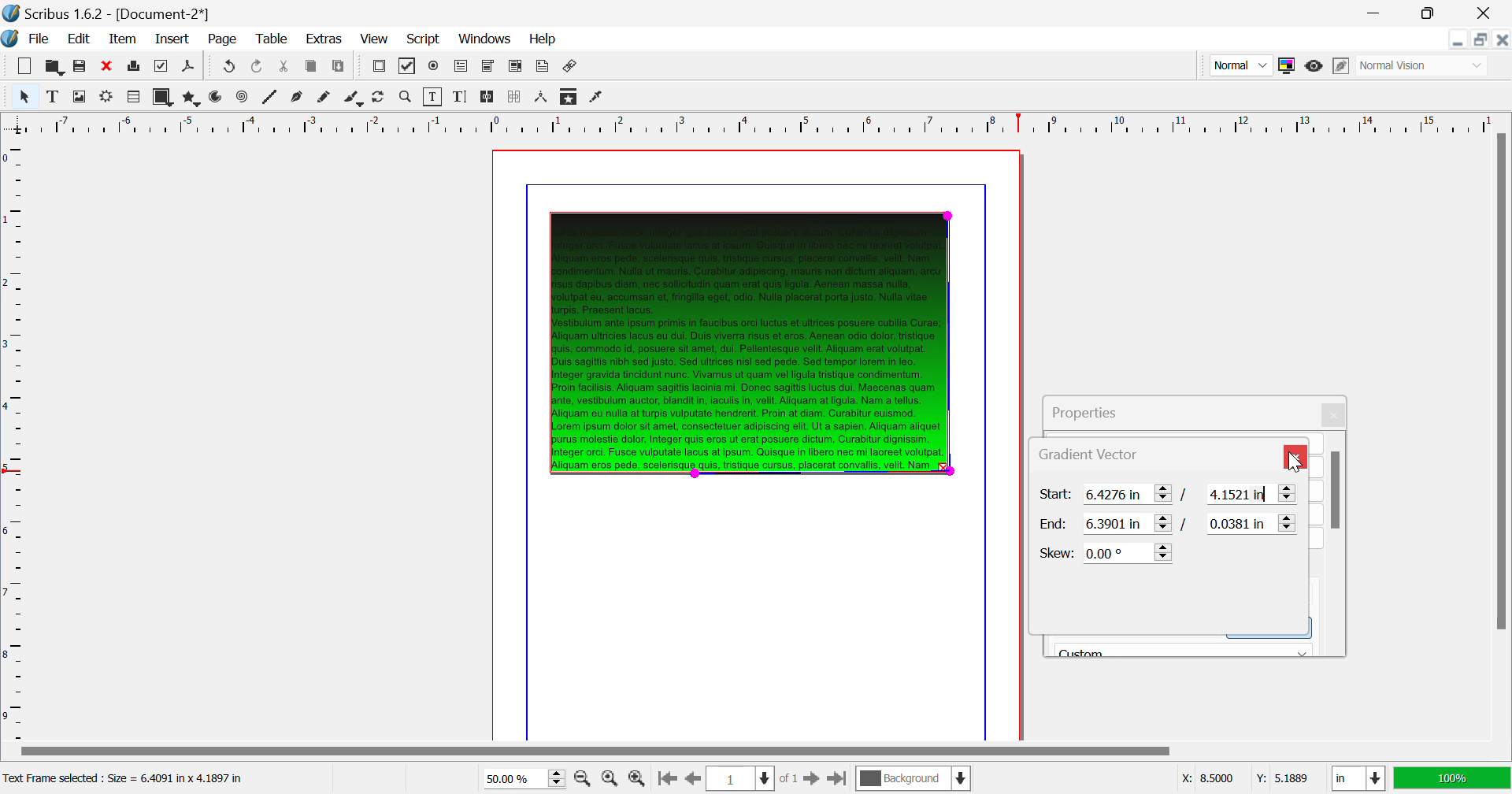 Image resolution: width=1512 pixels, height=794 pixels. What do you see at coordinates (298, 98) in the screenshot?
I see `Bezier Curve` at bounding box center [298, 98].